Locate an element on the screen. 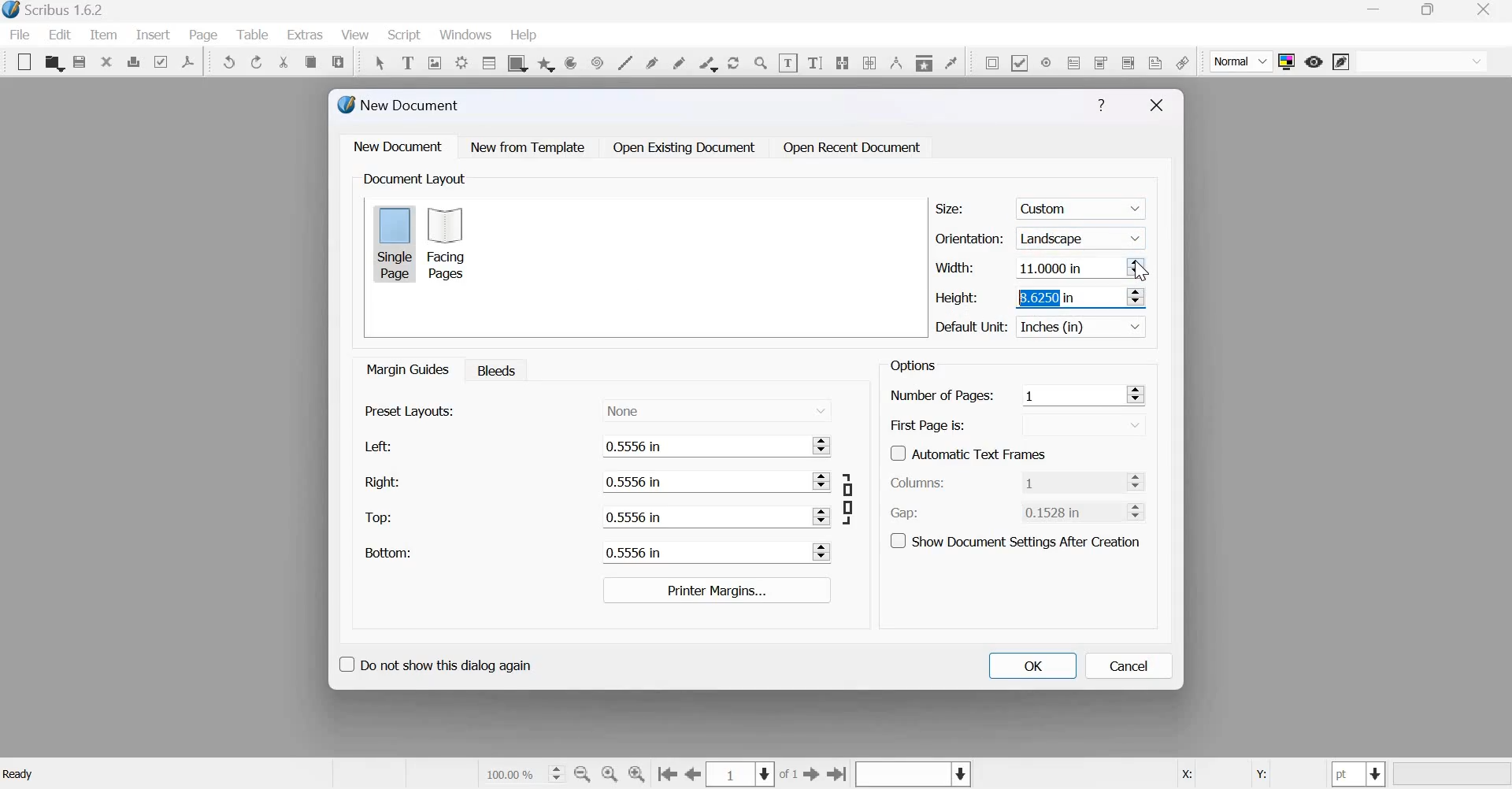  close is located at coordinates (106, 61).